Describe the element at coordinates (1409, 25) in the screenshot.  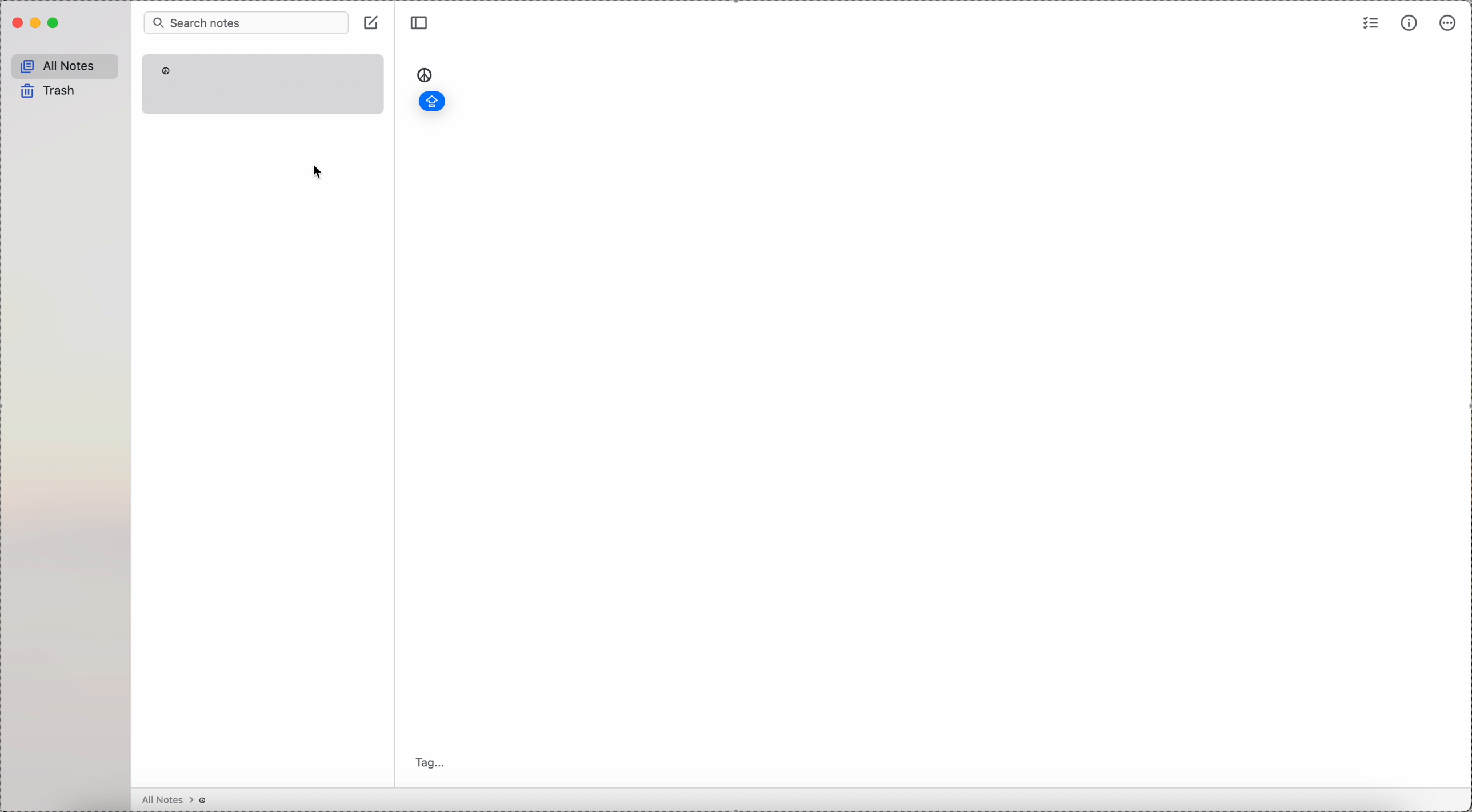
I see `metrics` at that location.